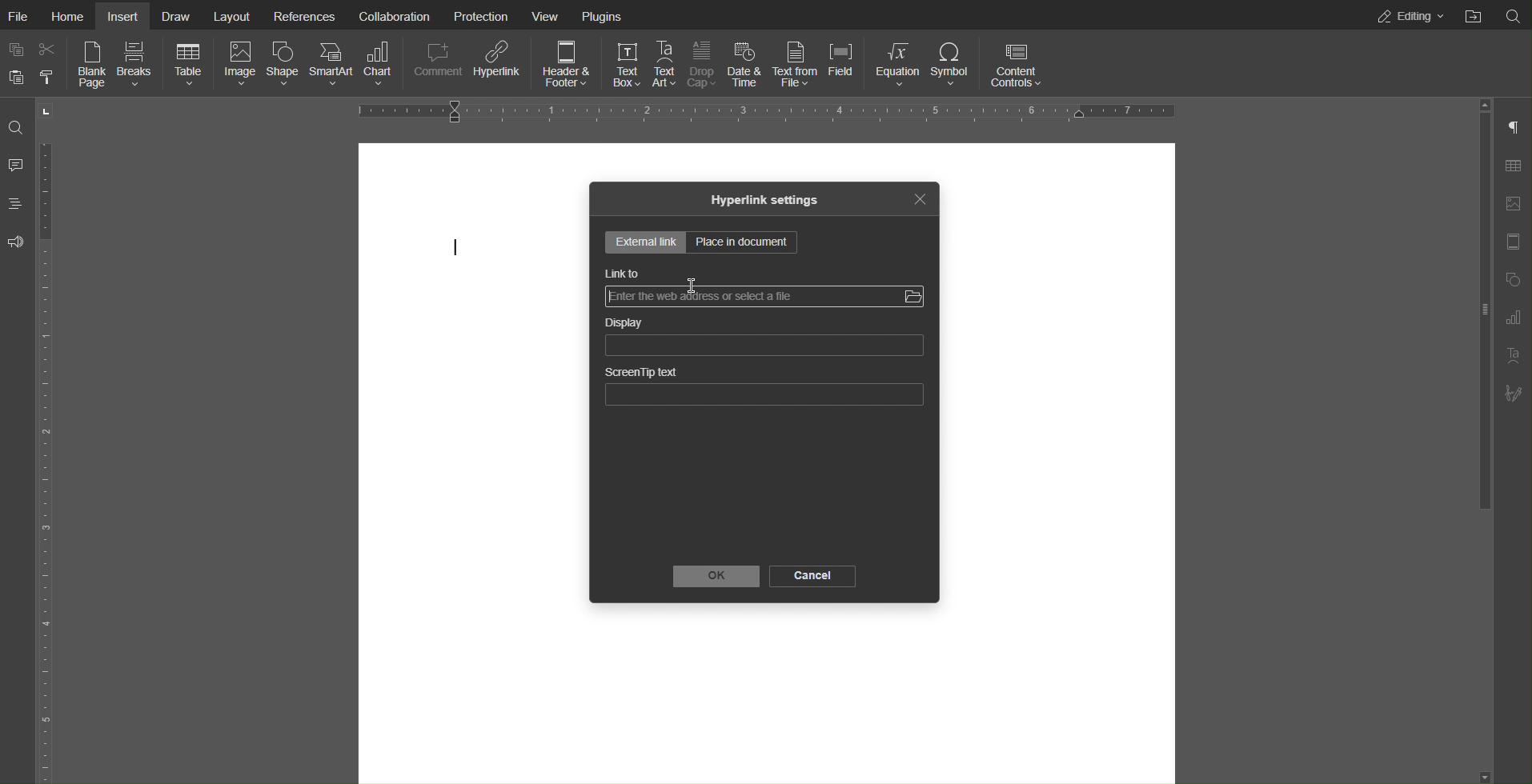  What do you see at coordinates (565, 63) in the screenshot?
I see `Header & Footer` at bounding box center [565, 63].